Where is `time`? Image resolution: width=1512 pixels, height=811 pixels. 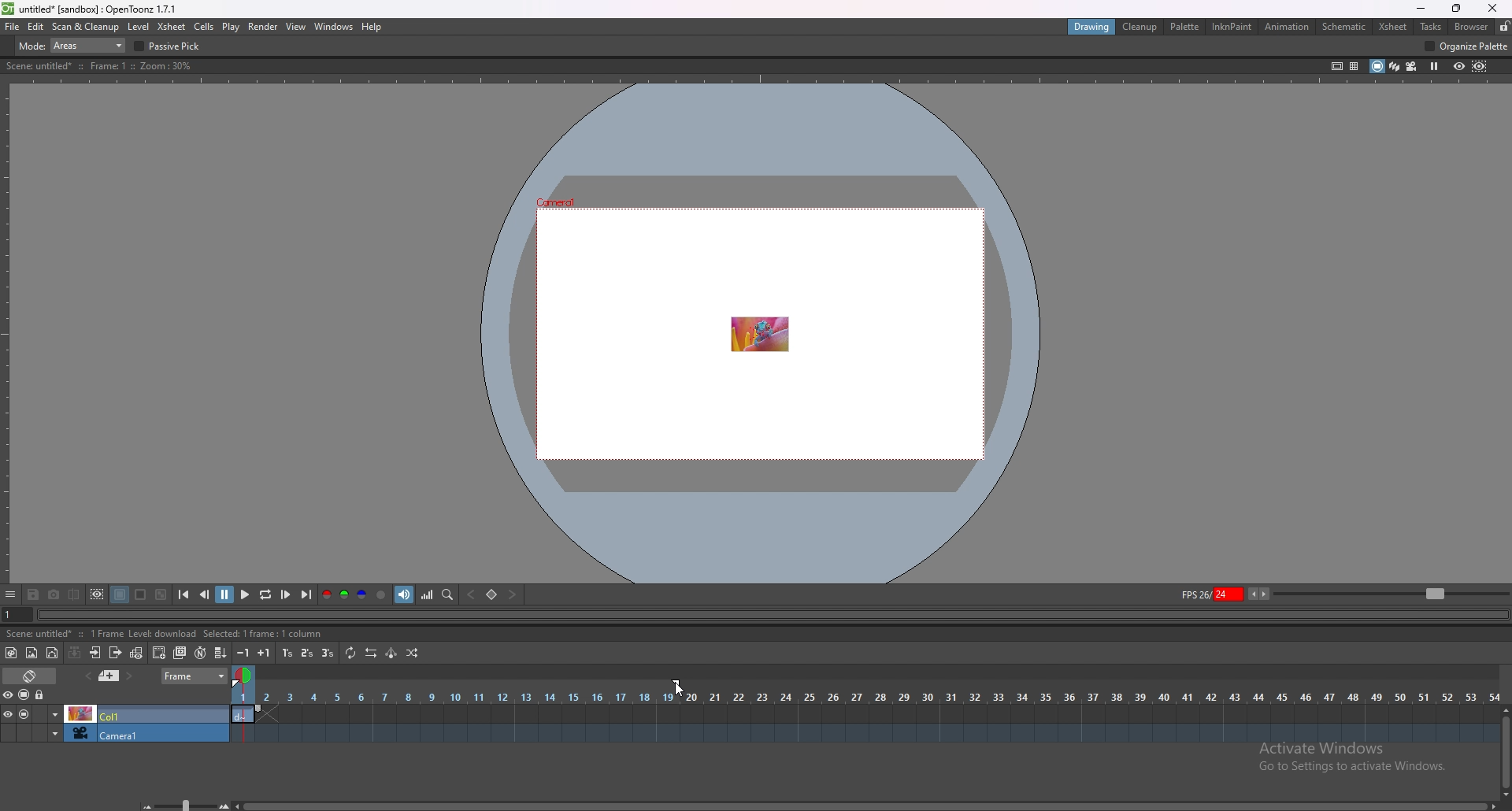
time is located at coordinates (865, 696).